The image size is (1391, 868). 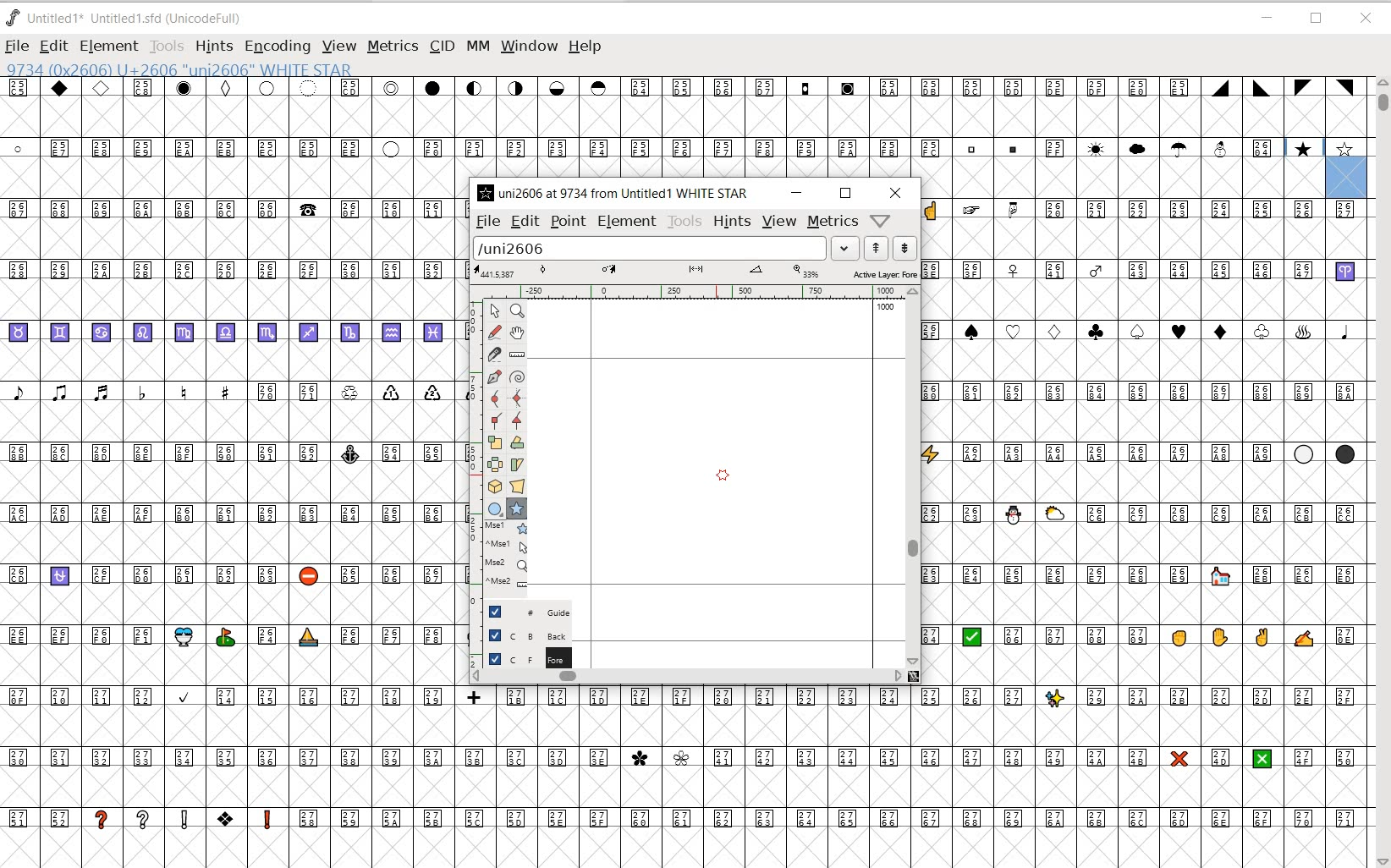 What do you see at coordinates (476, 45) in the screenshot?
I see `MM` at bounding box center [476, 45].